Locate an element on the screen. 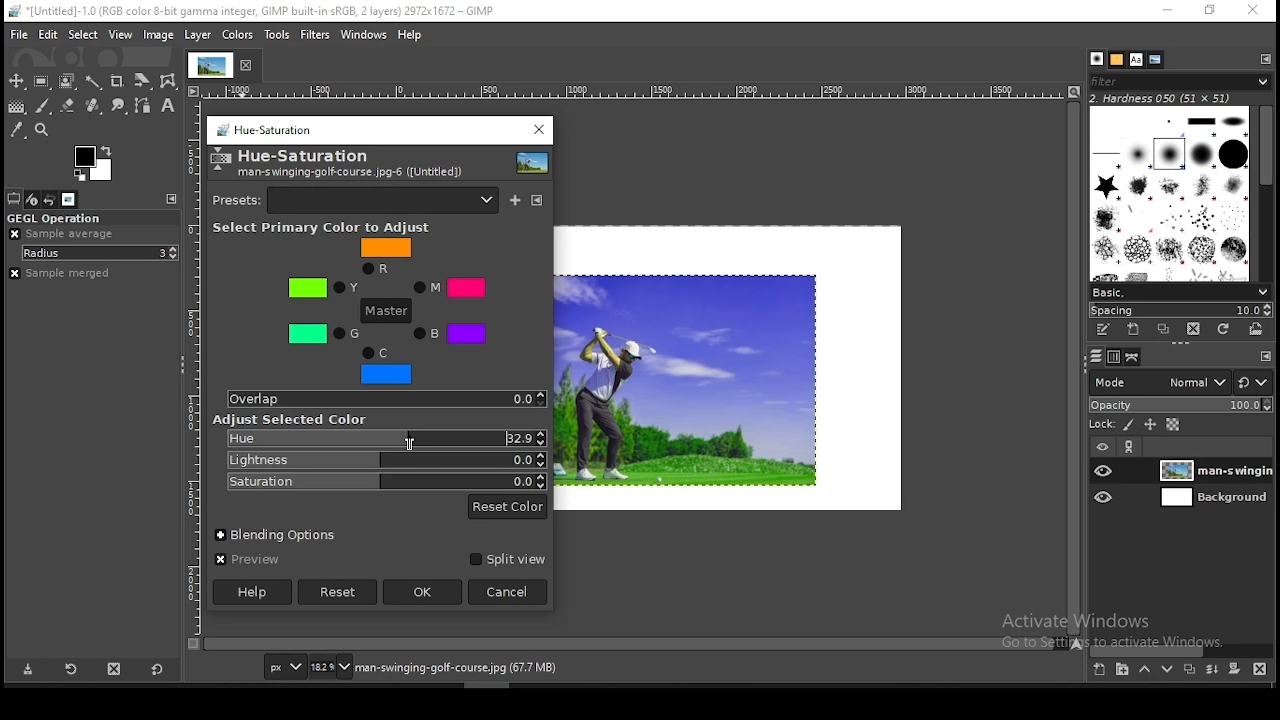 This screenshot has height=720, width=1280. blending options is located at coordinates (280, 536).